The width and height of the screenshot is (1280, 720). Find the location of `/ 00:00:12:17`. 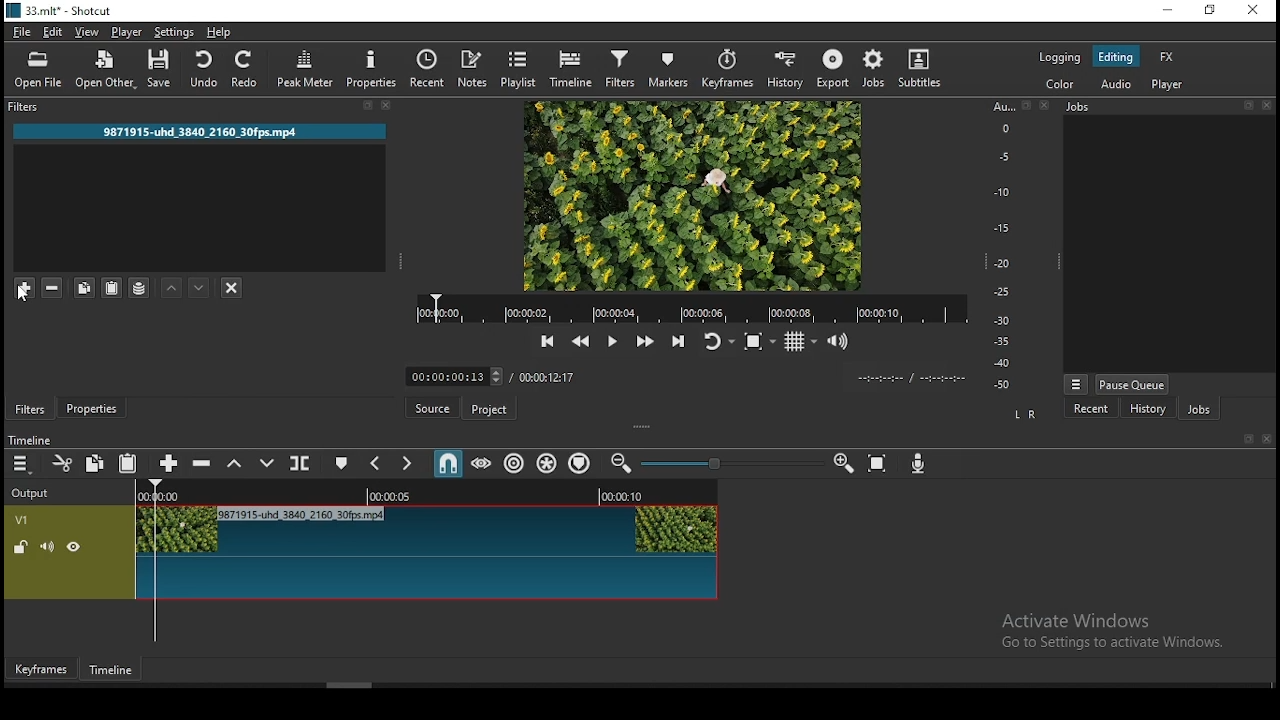

/ 00:00:12:17 is located at coordinates (543, 377).